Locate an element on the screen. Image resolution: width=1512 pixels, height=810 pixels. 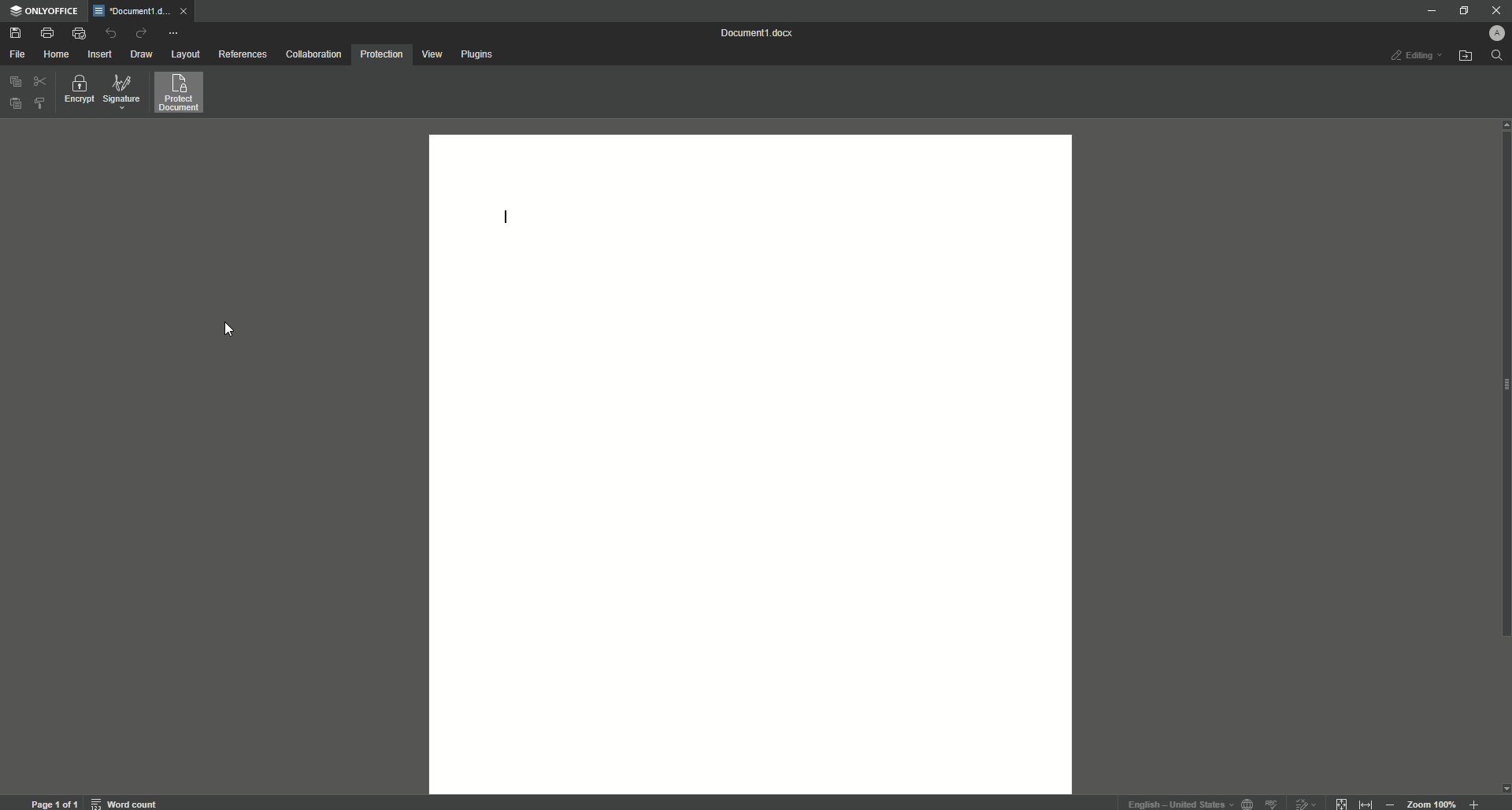
text language is located at coordinates (1177, 801).